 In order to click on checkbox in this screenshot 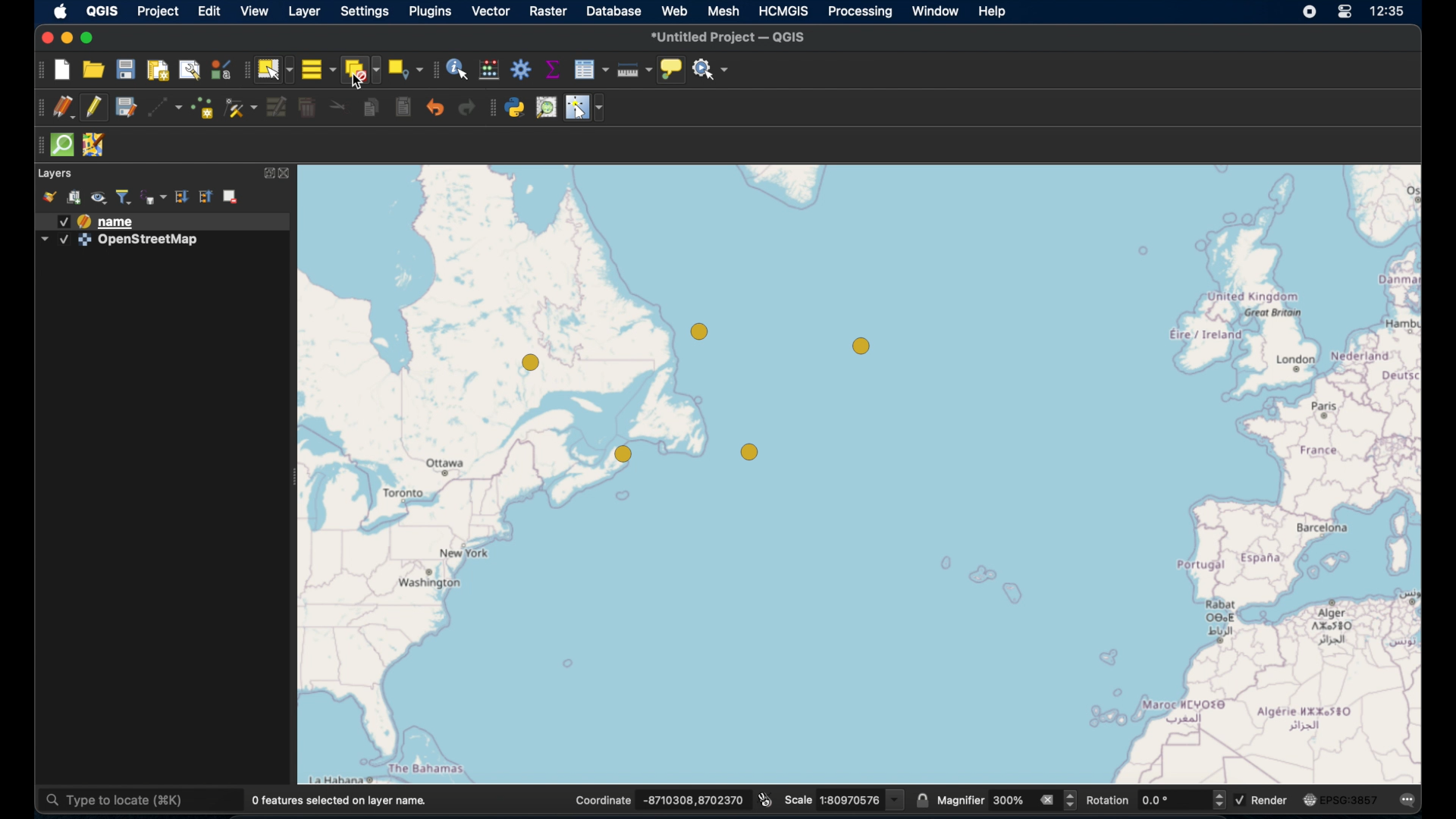, I will do `click(1242, 800)`.